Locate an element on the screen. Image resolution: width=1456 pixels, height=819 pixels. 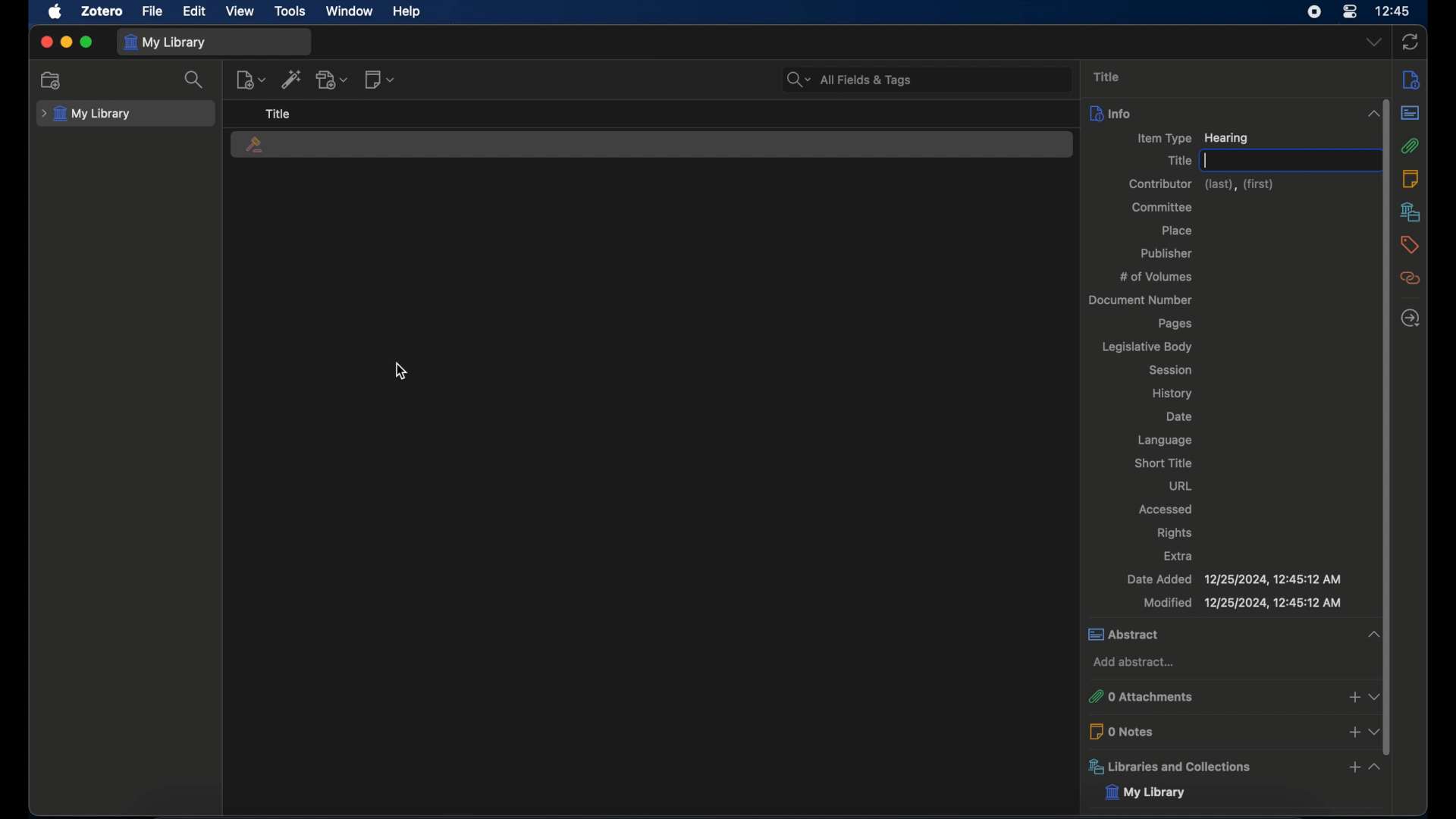
place is located at coordinates (1175, 231).